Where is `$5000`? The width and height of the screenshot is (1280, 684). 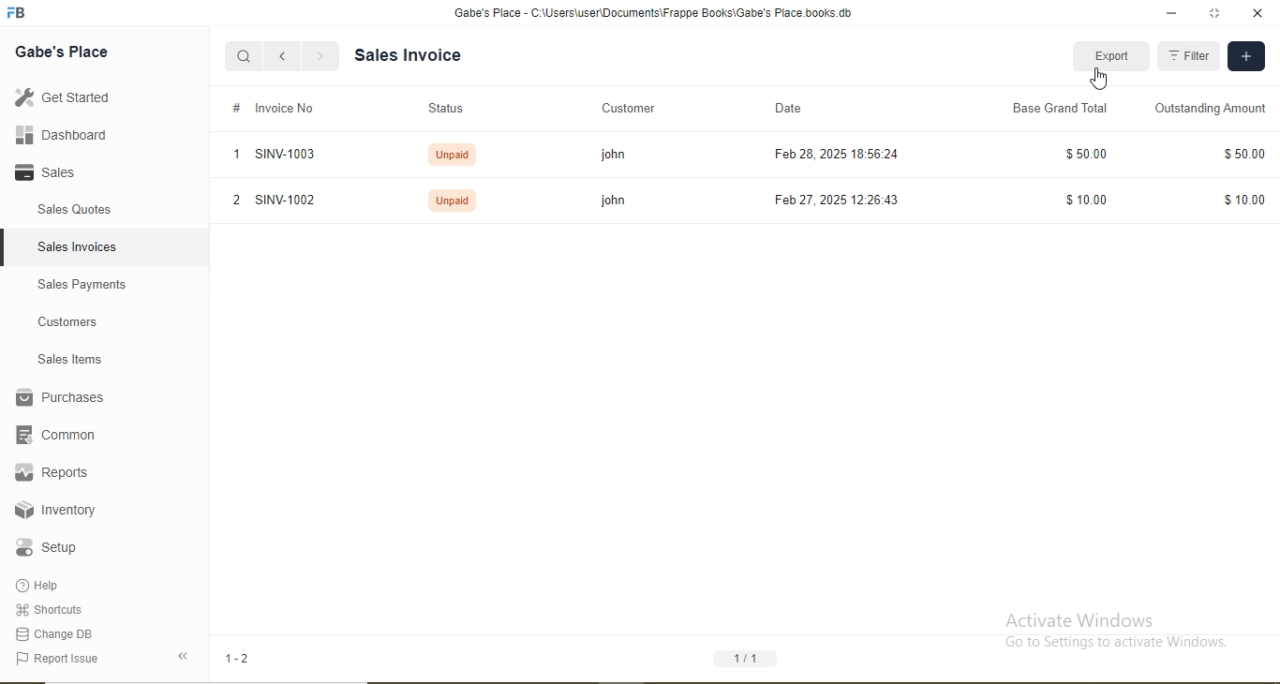
$5000 is located at coordinates (1087, 152).